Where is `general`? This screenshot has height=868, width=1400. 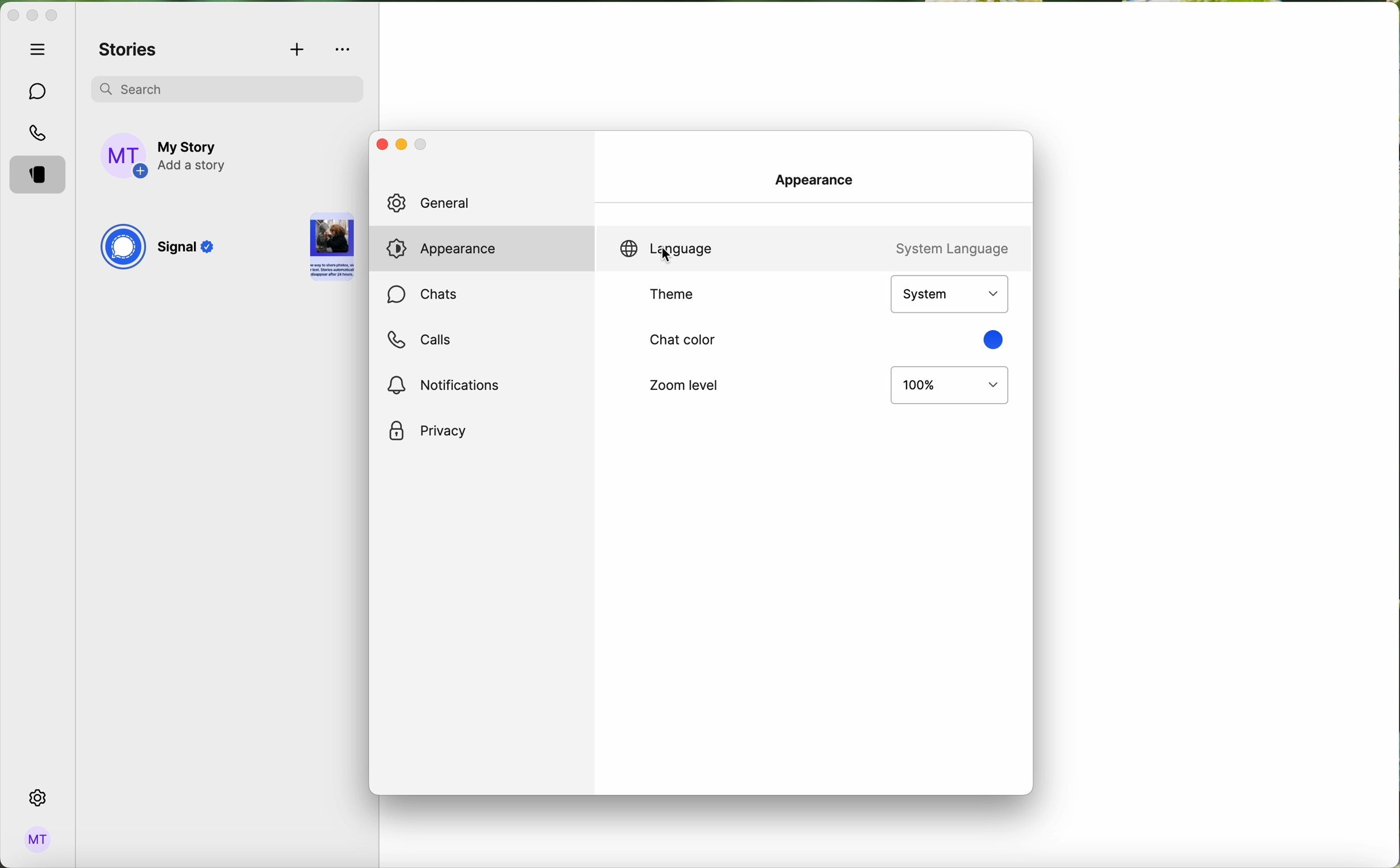 general is located at coordinates (486, 203).